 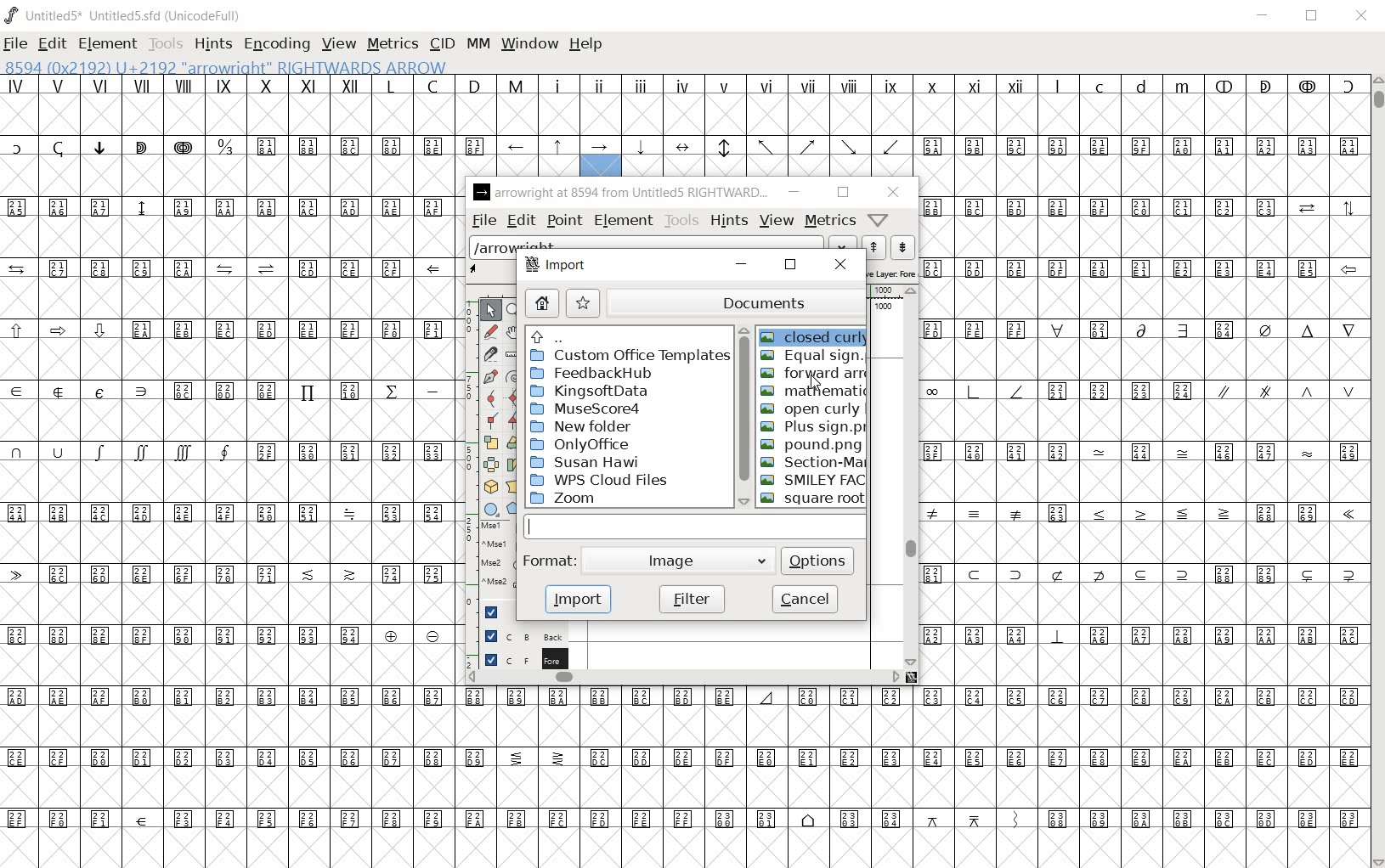 I want to click on Image, so click(x=682, y=561).